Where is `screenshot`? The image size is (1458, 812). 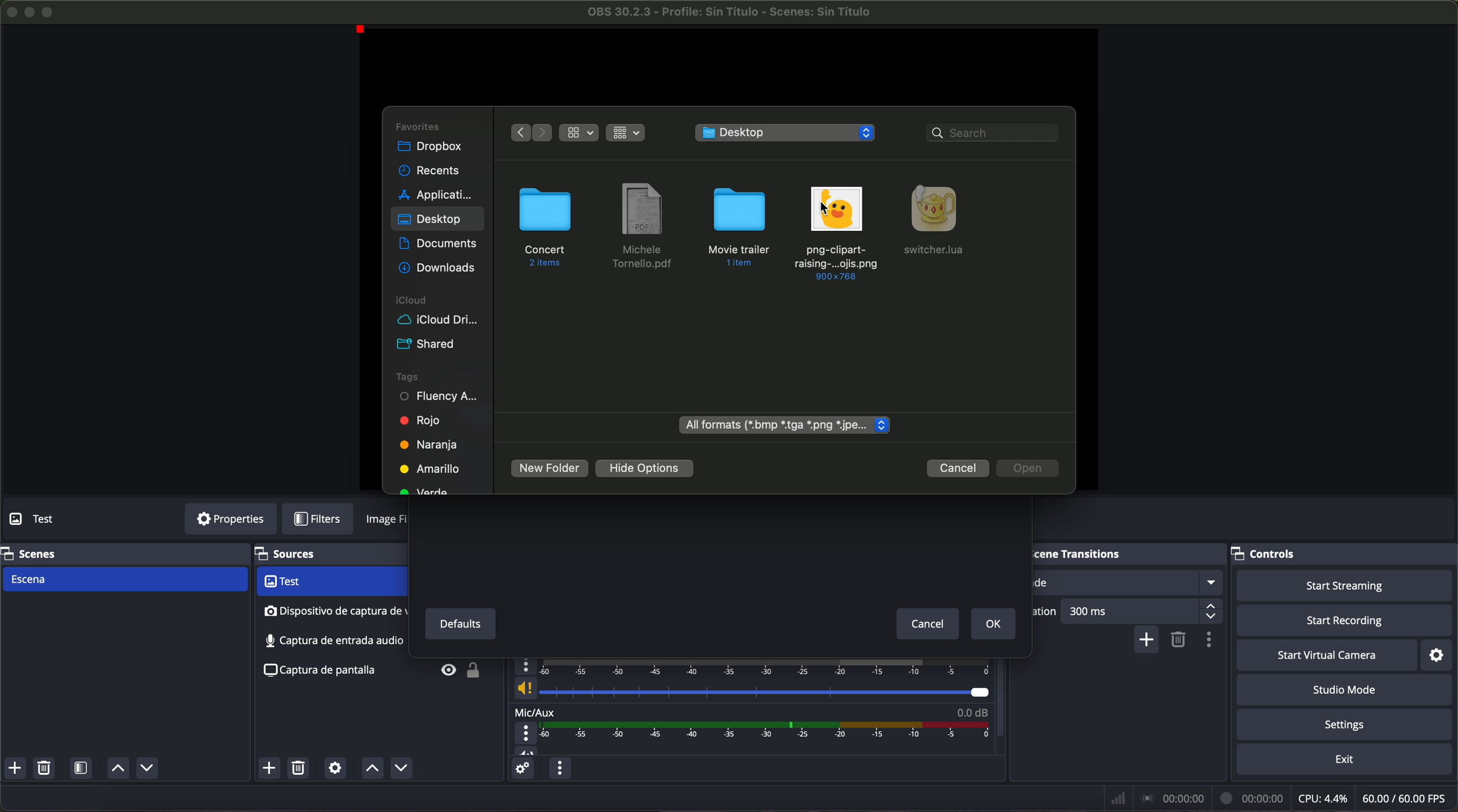
screenshot is located at coordinates (325, 672).